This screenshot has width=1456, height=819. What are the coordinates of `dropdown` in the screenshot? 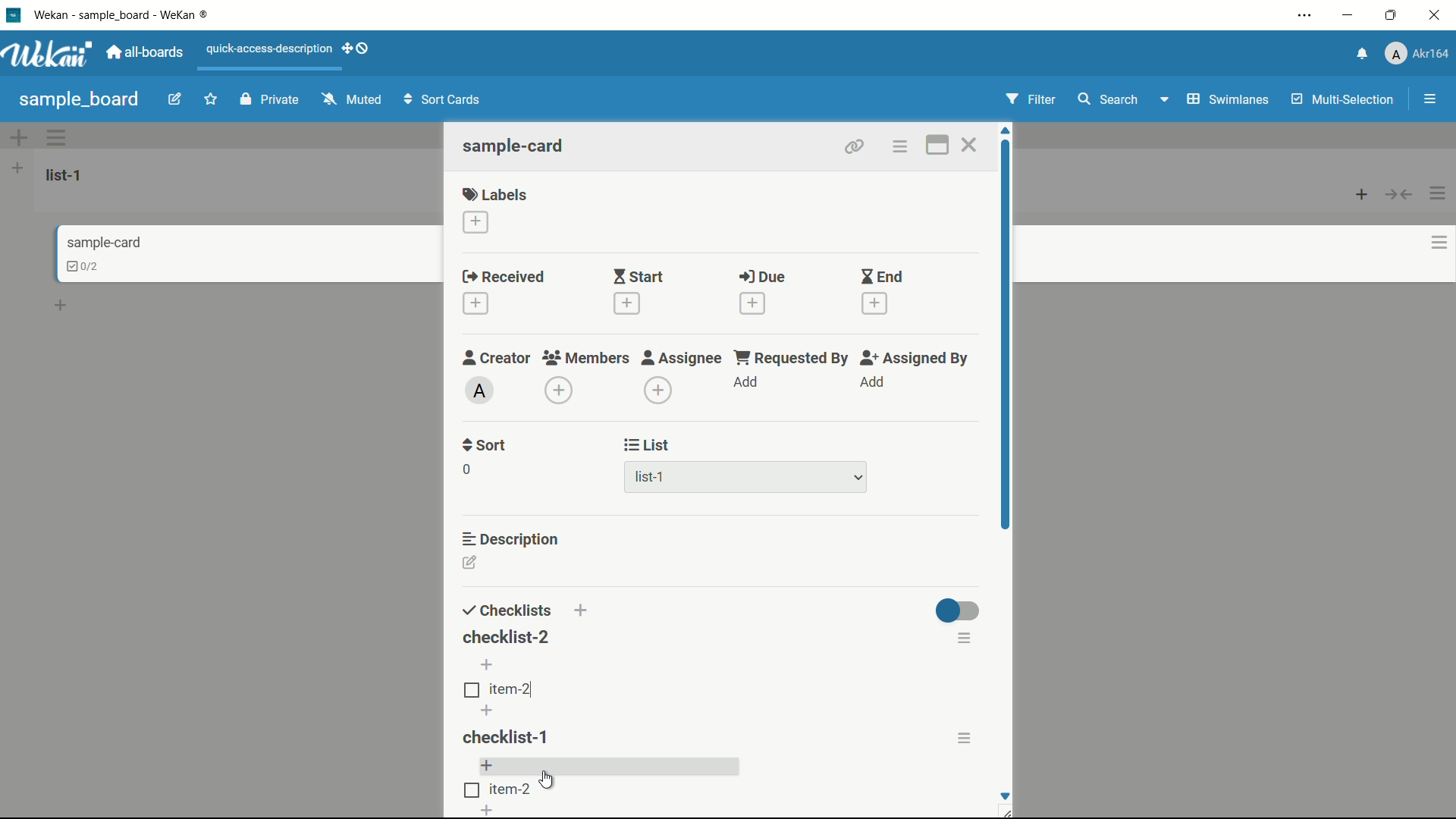 It's located at (1163, 102).